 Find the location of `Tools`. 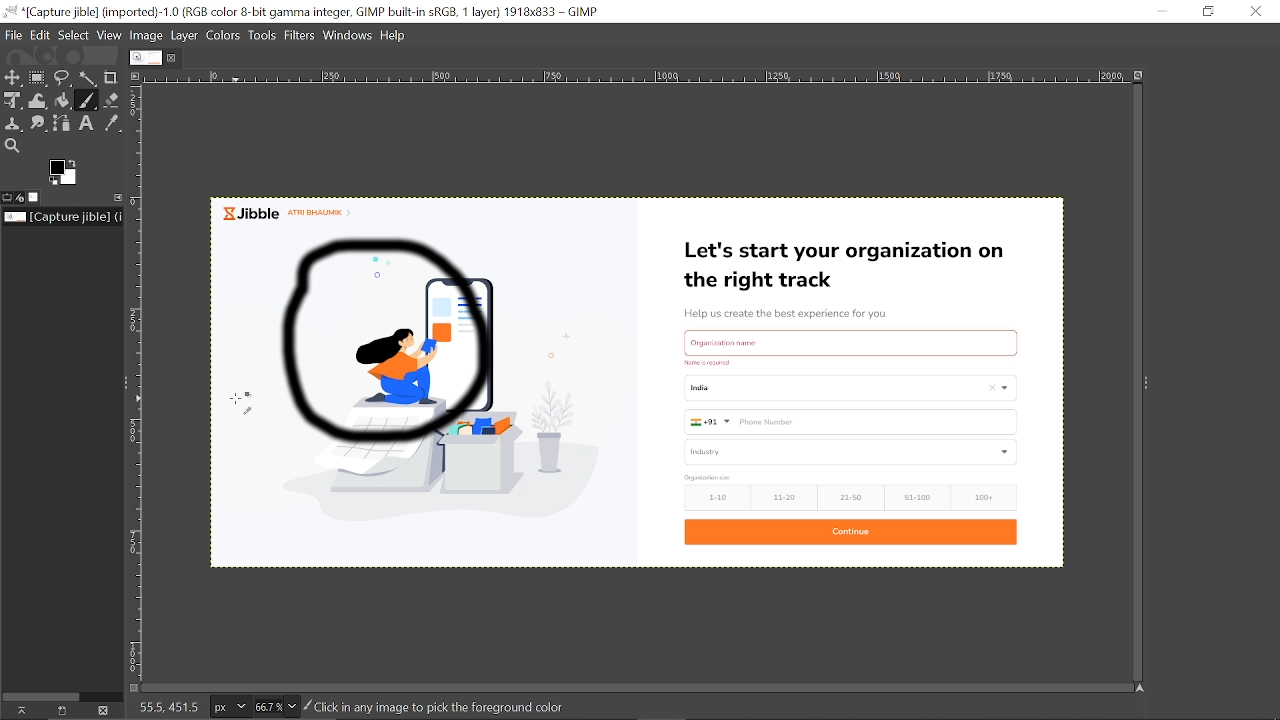

Tools is located at coordinates (264, 37).